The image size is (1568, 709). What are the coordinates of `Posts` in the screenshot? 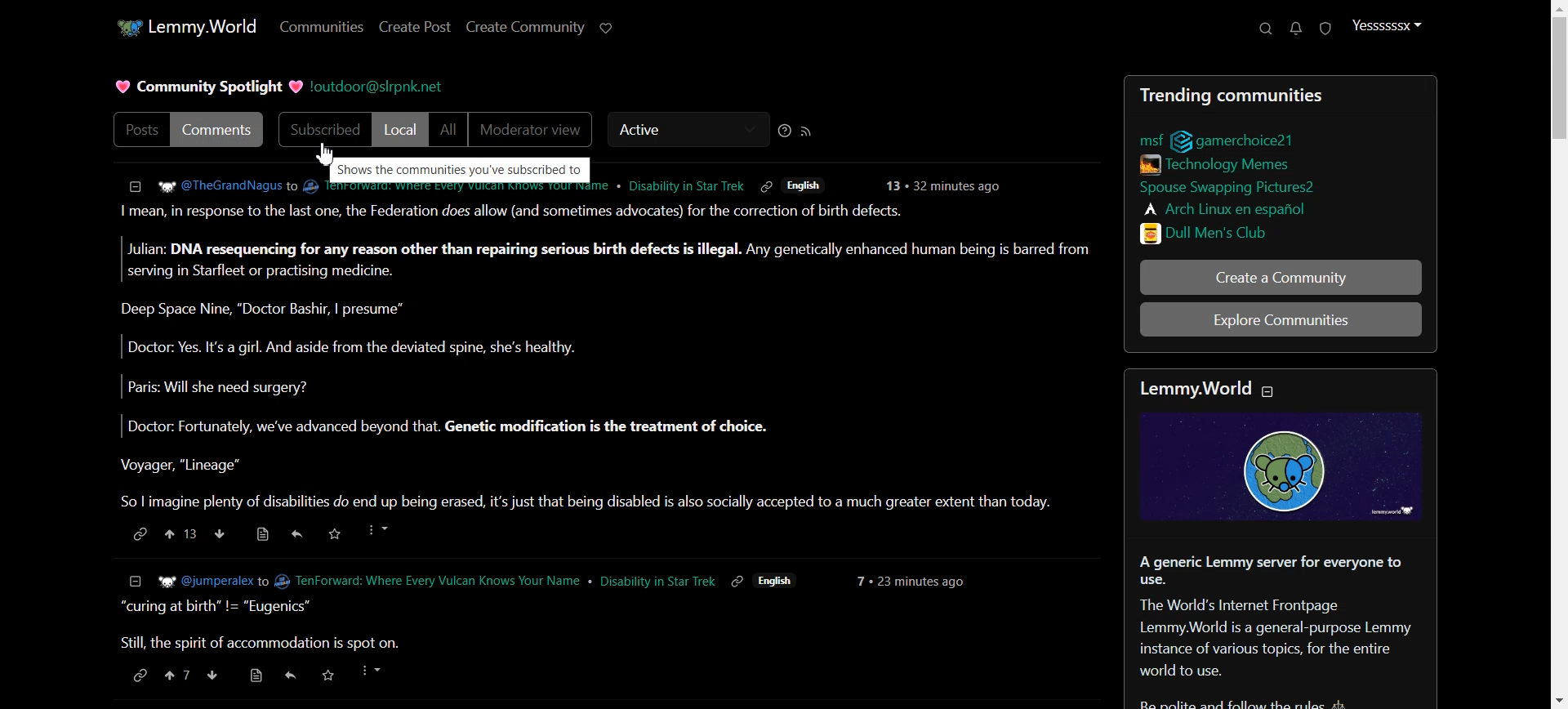 It's located at (1279, 94).